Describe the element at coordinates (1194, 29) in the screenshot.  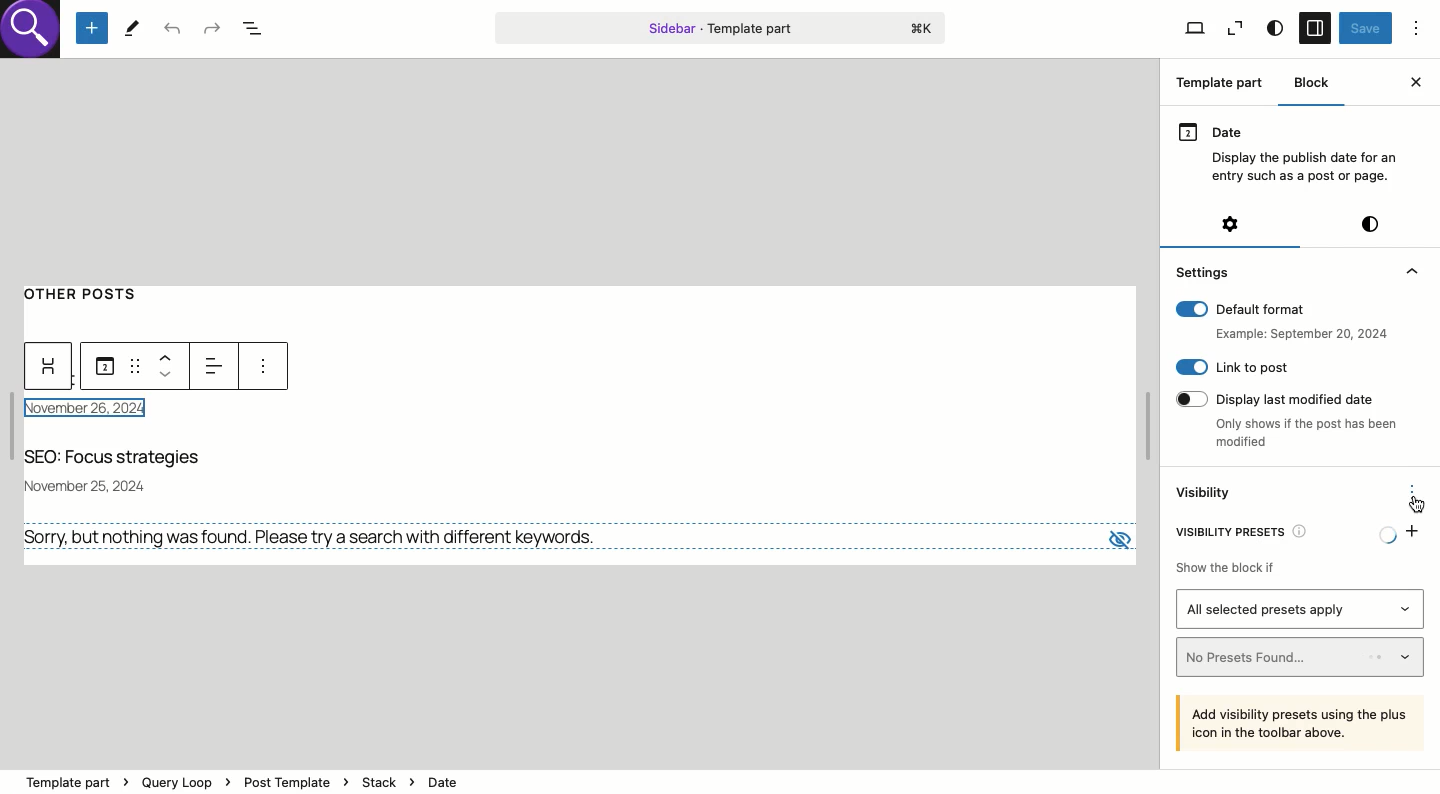
I see `View` at that location.